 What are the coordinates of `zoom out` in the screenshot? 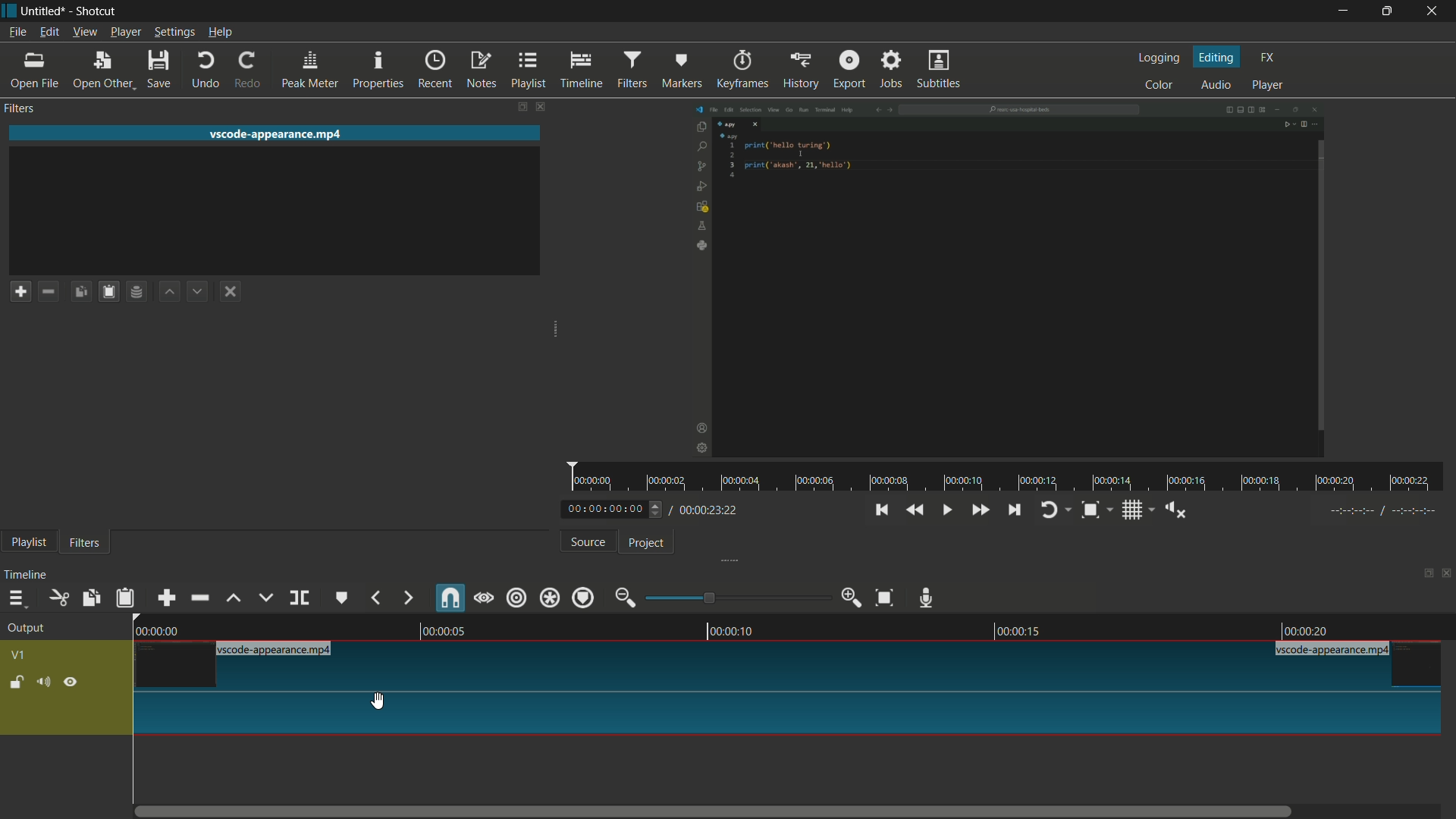 It's located at (625, 597).